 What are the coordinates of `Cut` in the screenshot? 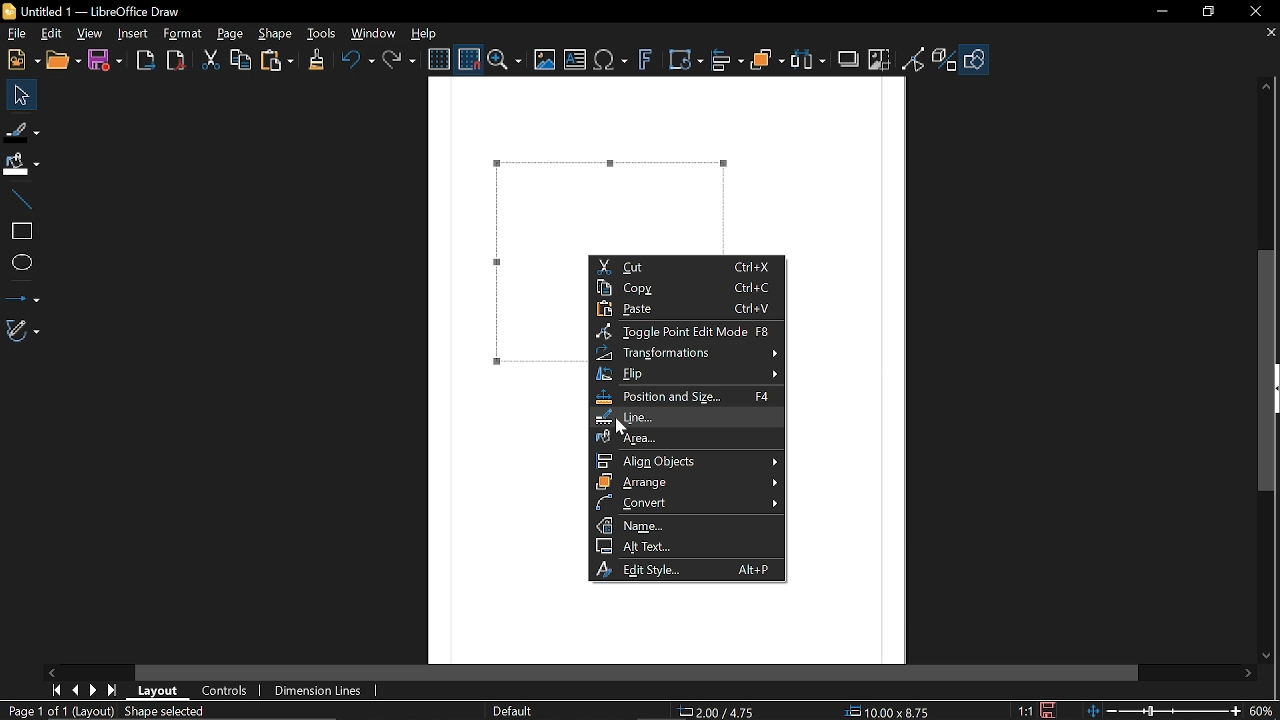 It's located at (212, 61).